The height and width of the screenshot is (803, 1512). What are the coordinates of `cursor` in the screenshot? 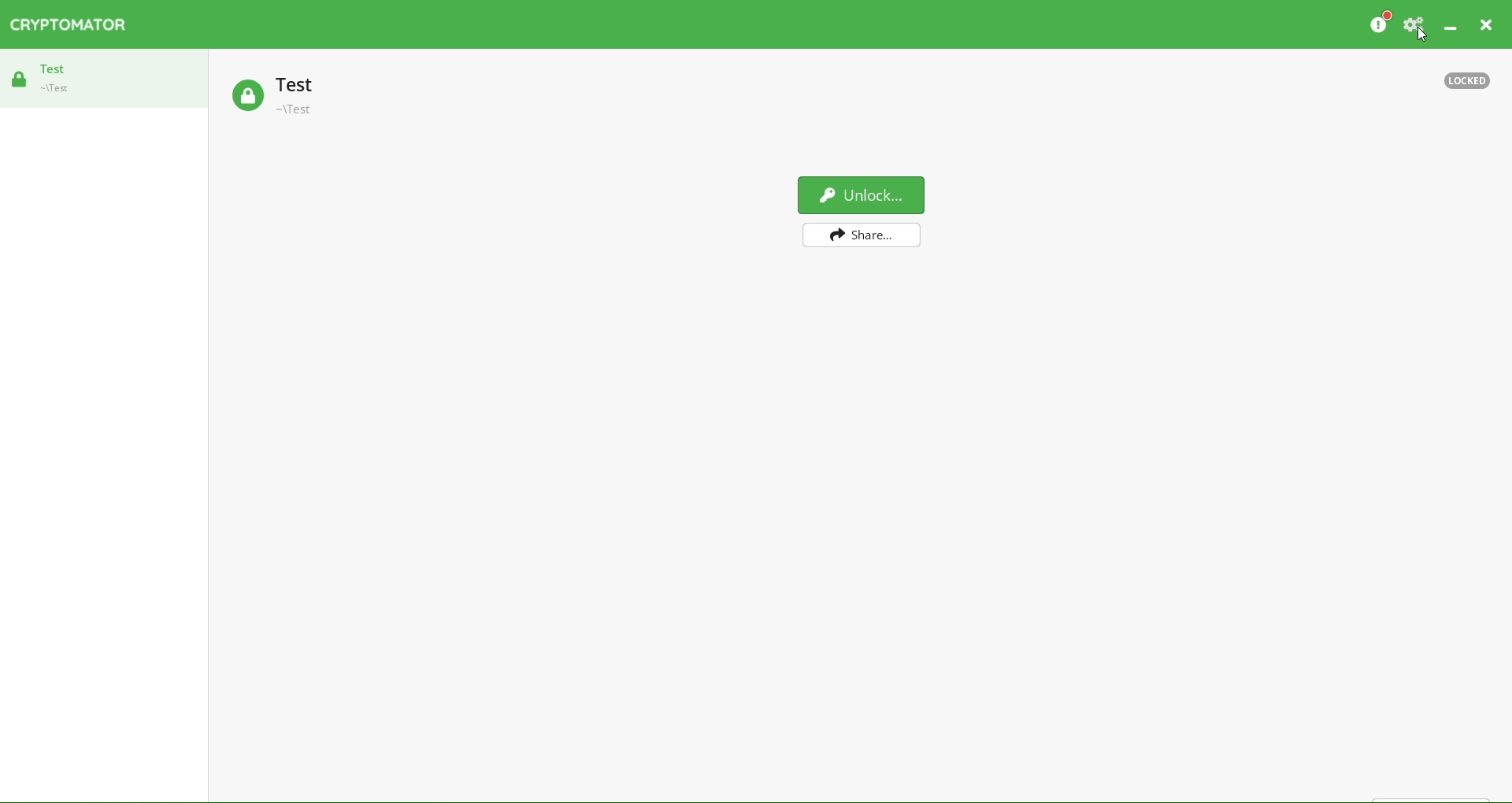 It's located at (1425, 38).